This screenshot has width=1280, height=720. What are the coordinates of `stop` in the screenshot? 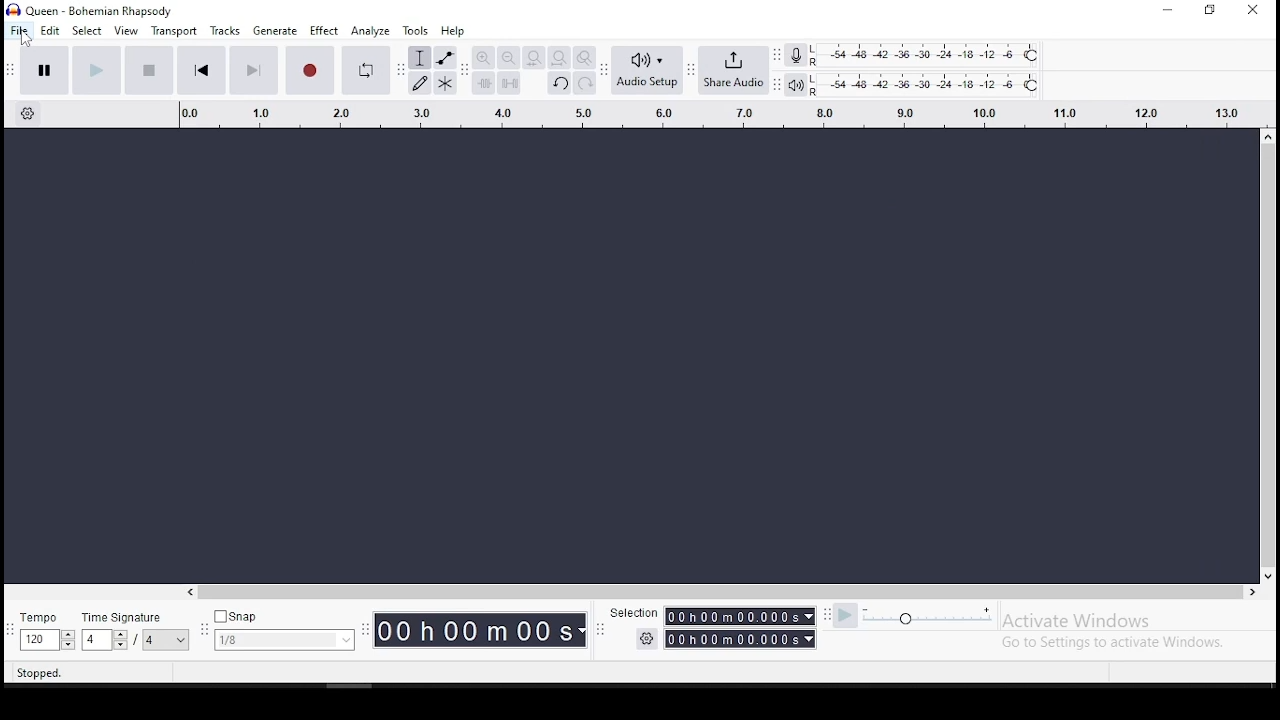 It's located at (148, 69).